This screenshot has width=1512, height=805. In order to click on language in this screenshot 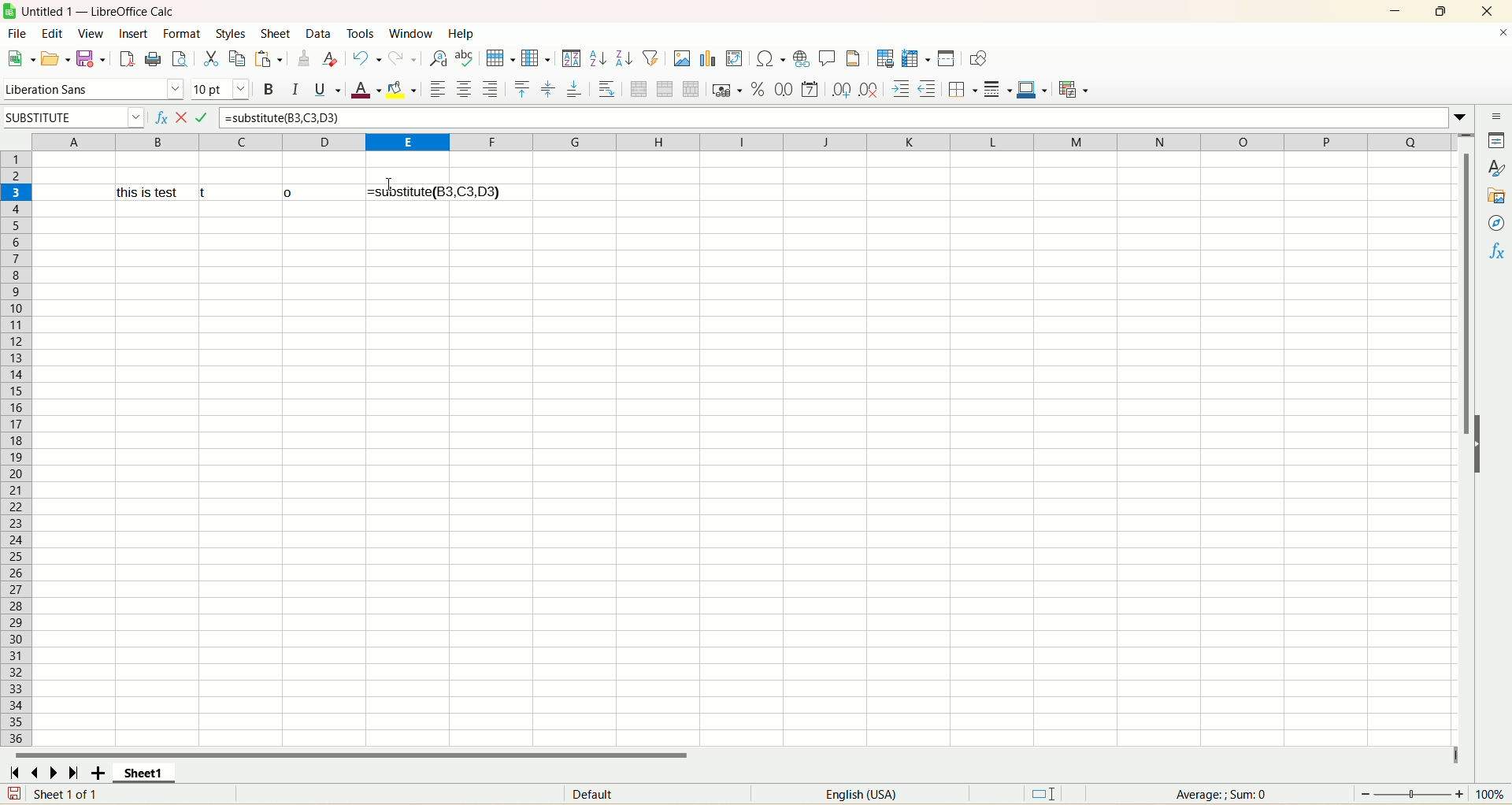, I will do `click(869, 795)`.